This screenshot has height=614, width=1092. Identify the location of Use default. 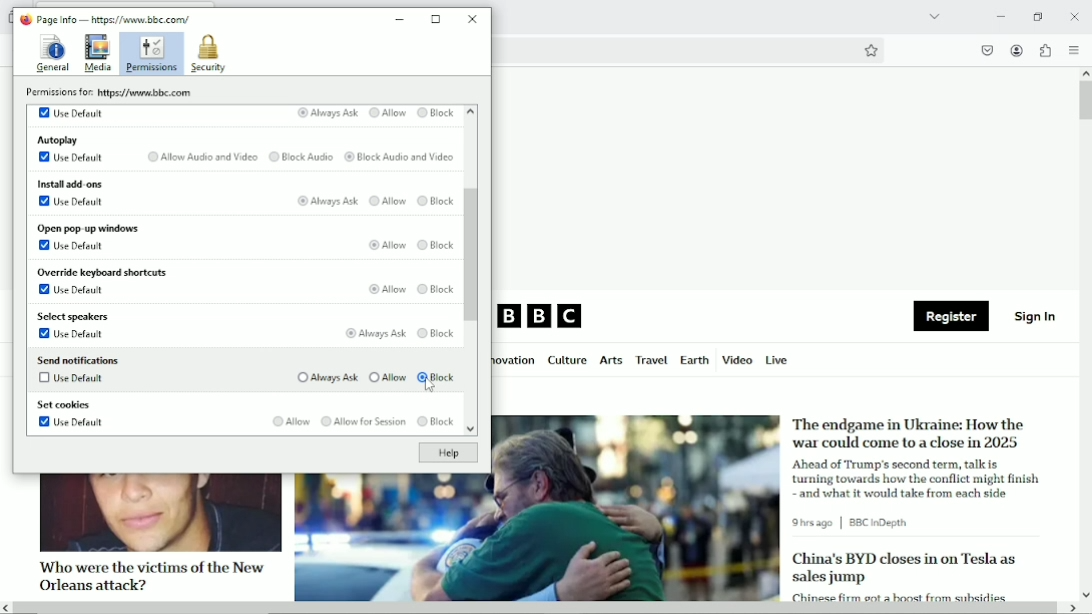
(72, 424).